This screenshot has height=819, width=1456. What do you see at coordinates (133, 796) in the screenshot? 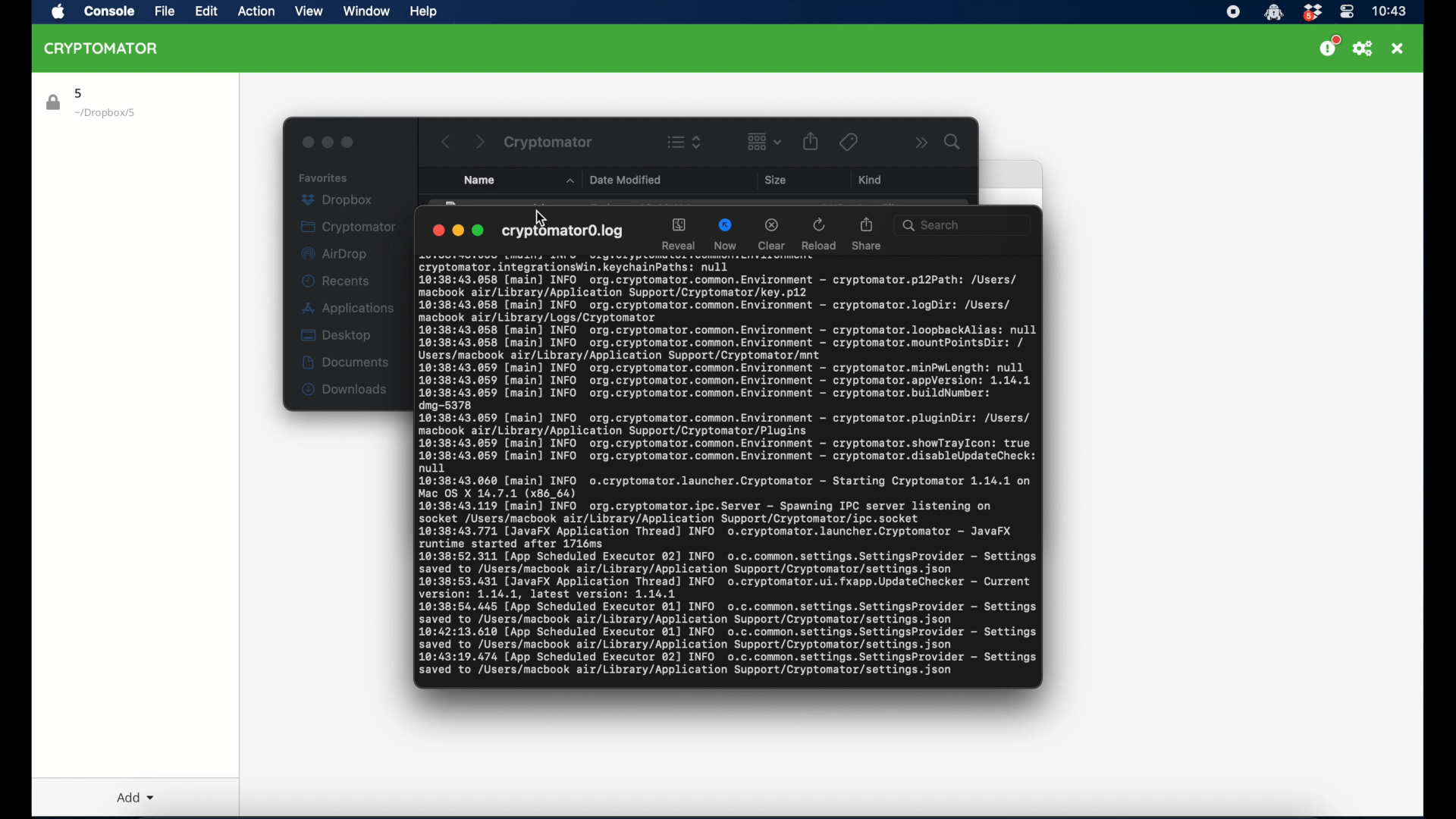
I see `add dropdown` at bounding box center [133, 796].